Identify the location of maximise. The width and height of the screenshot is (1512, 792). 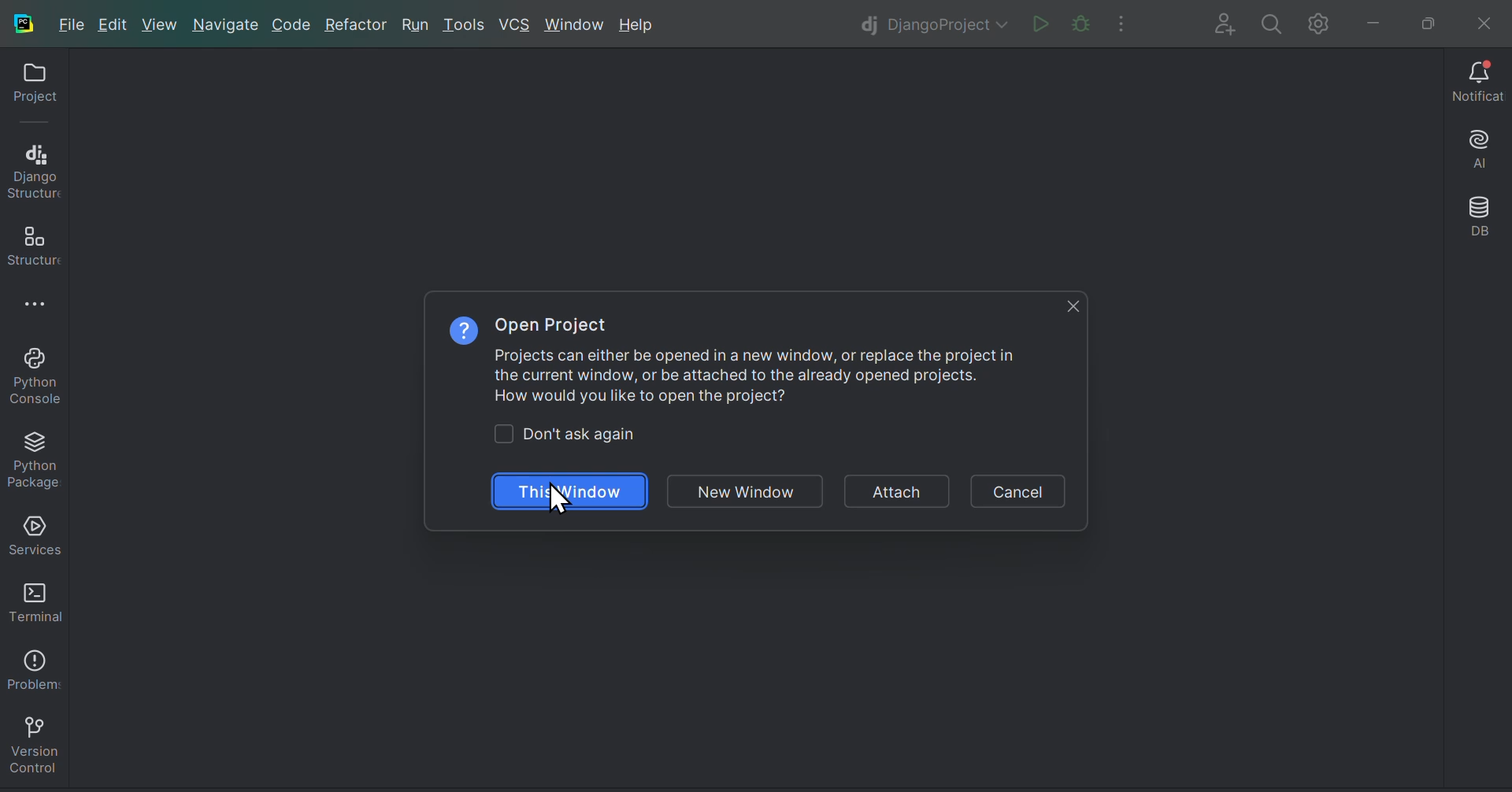
(1421, 20).